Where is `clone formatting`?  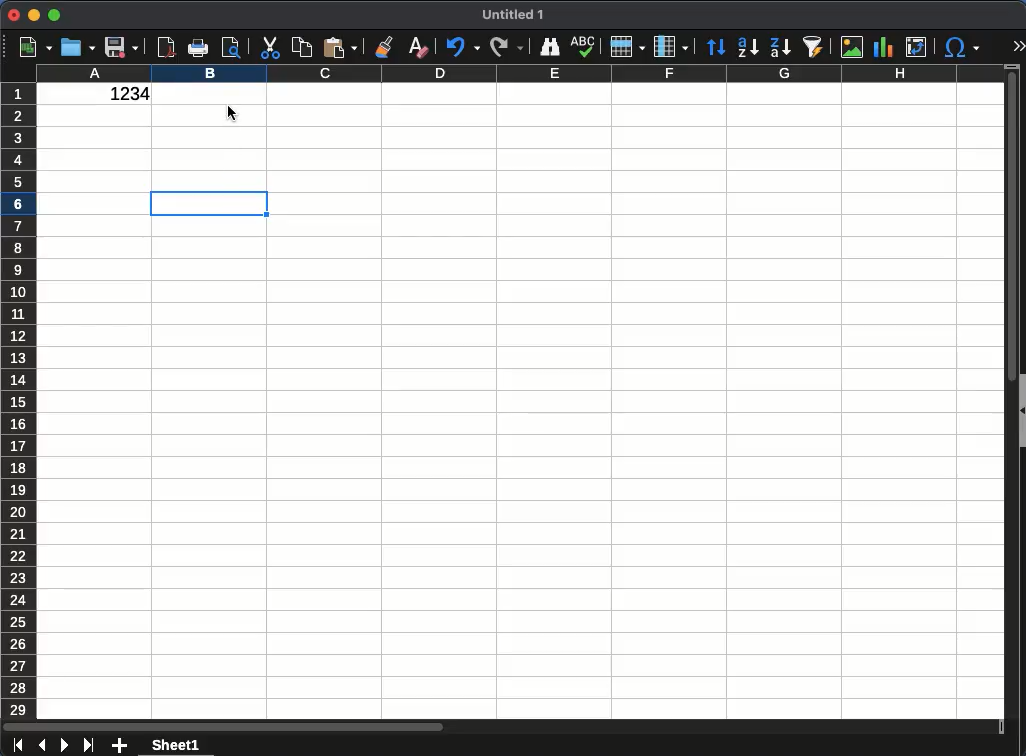
clone formatting is located at coordinates (386, 49).